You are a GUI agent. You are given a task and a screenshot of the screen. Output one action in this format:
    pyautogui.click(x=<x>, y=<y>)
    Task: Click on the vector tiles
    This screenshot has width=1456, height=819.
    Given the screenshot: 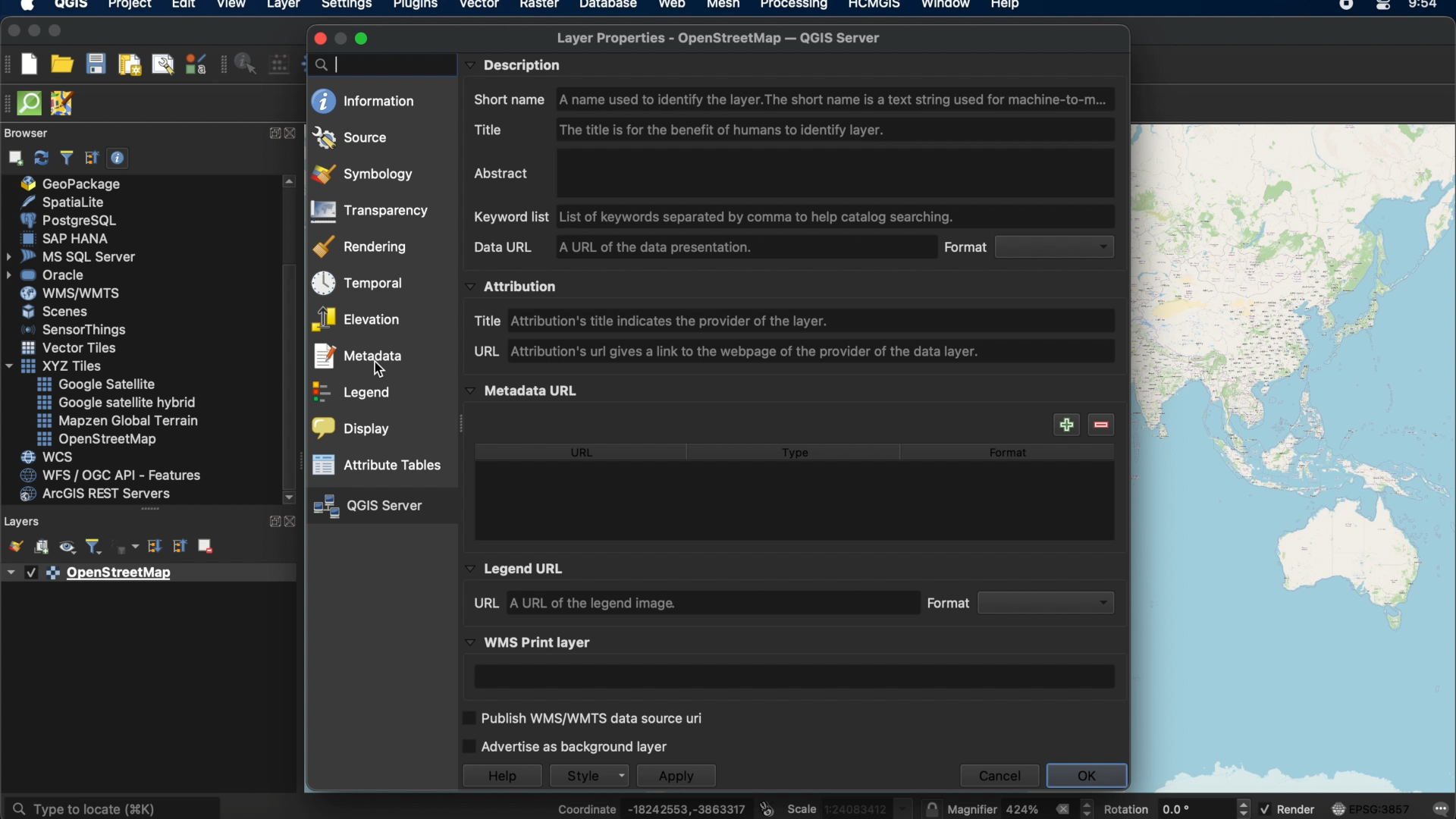 What is the action you would take?
    pyautogui.click(x=69, y=346)
    